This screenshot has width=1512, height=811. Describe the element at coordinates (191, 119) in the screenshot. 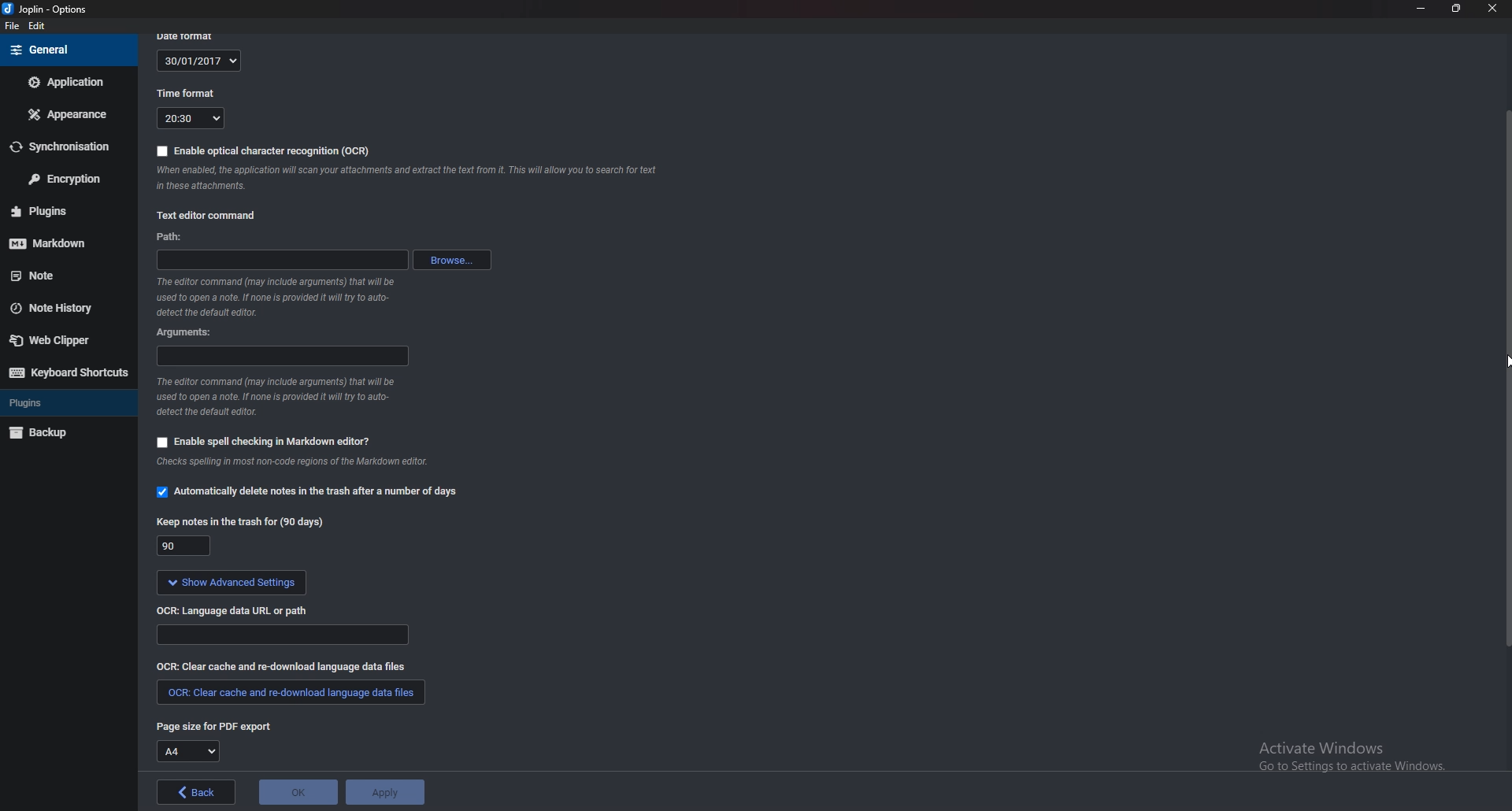

I see `20:30` at that location.